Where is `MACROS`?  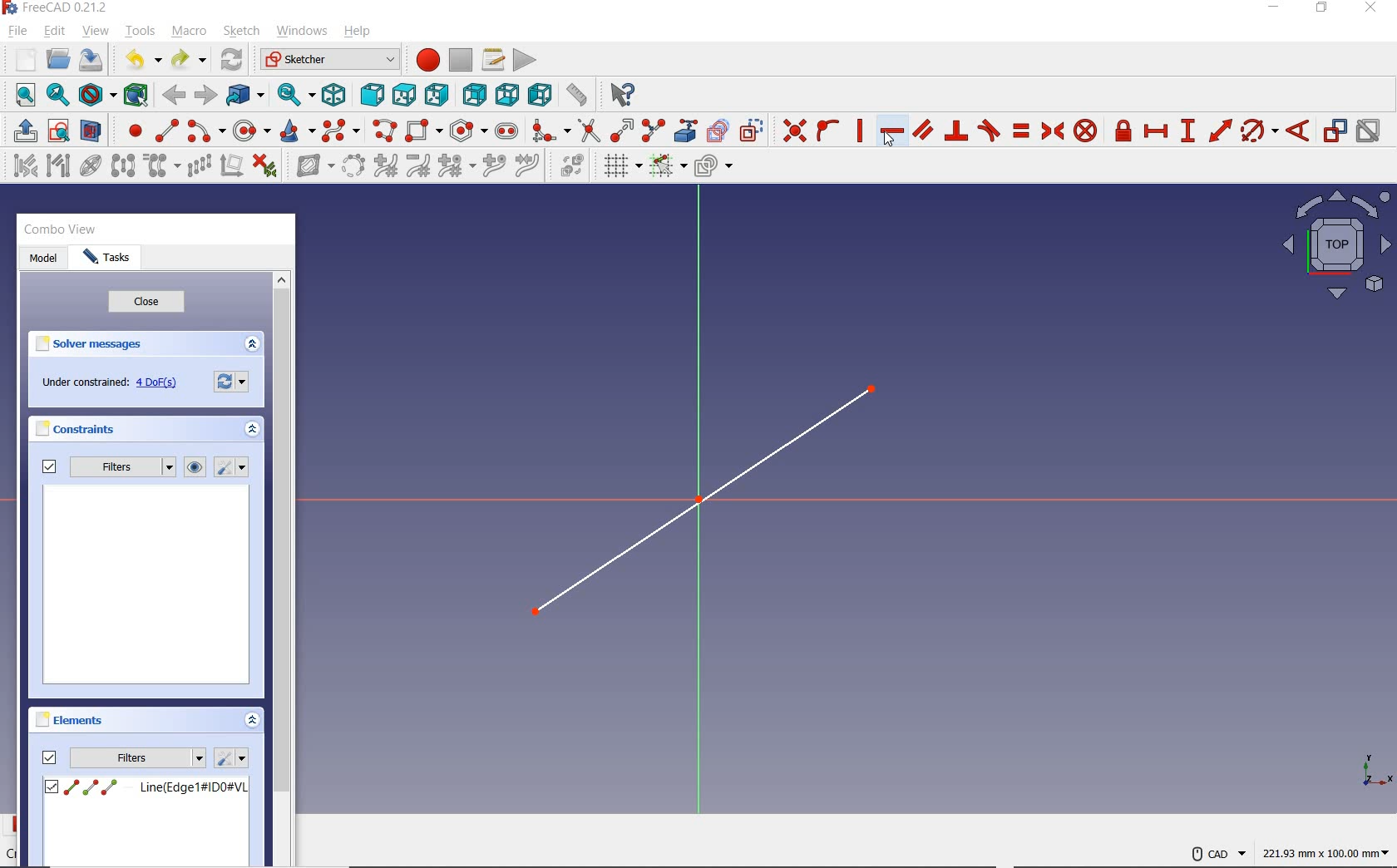 MACROS is located at coordinates (493, 59).